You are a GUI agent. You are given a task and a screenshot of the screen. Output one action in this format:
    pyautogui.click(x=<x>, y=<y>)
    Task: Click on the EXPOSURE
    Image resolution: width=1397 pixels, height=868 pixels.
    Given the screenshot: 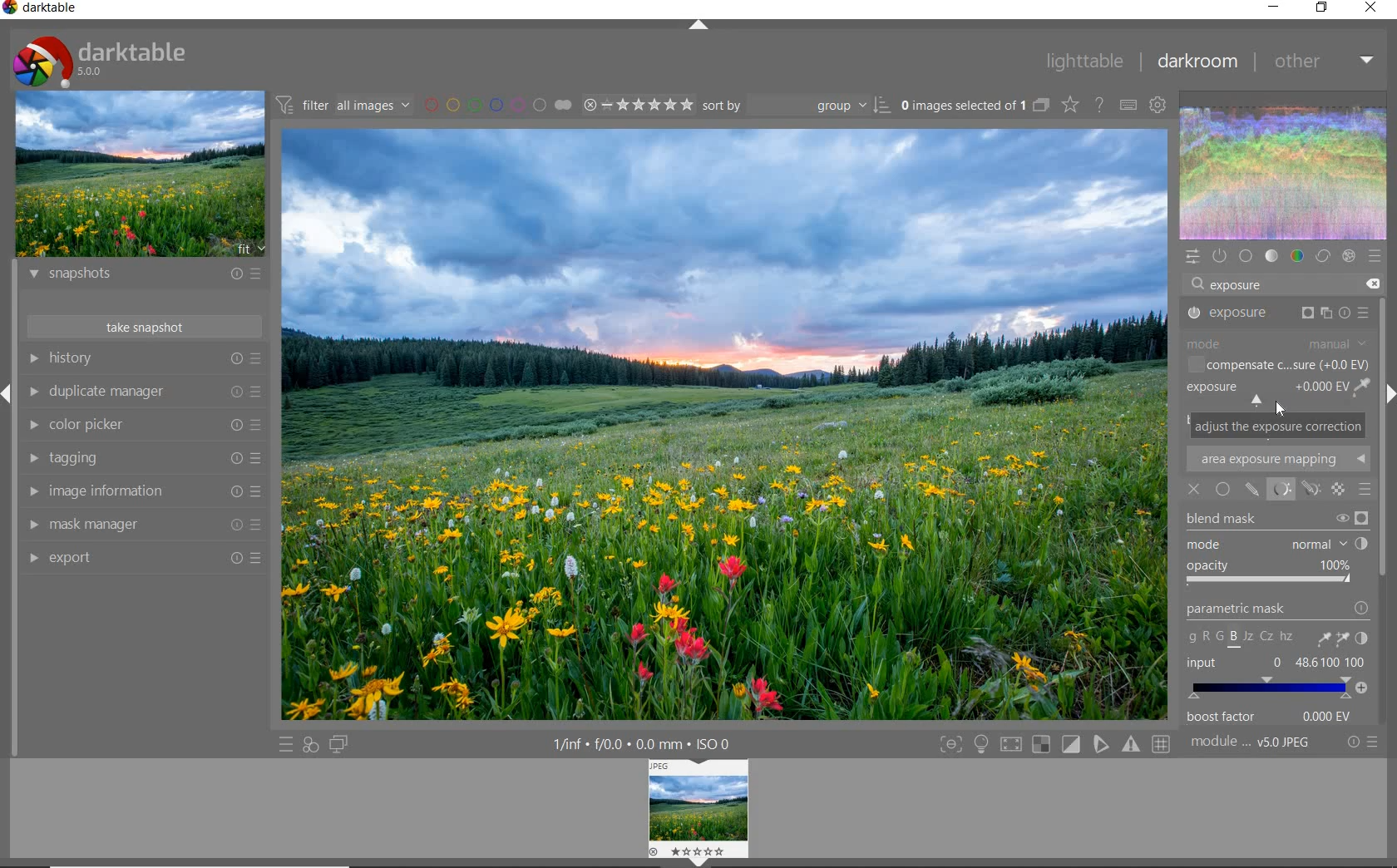 What is the action you would take?
    pyautogui.click(x=1281, y=313)
    